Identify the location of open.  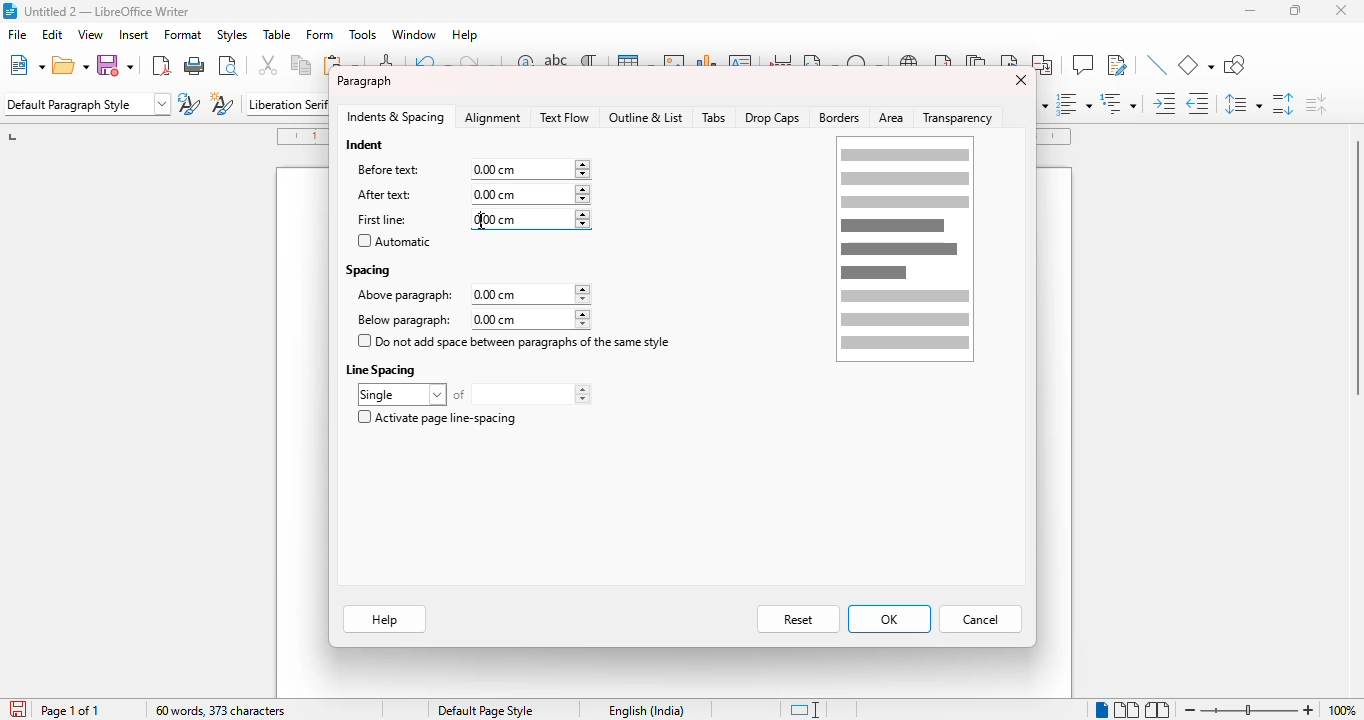
(71, 65).